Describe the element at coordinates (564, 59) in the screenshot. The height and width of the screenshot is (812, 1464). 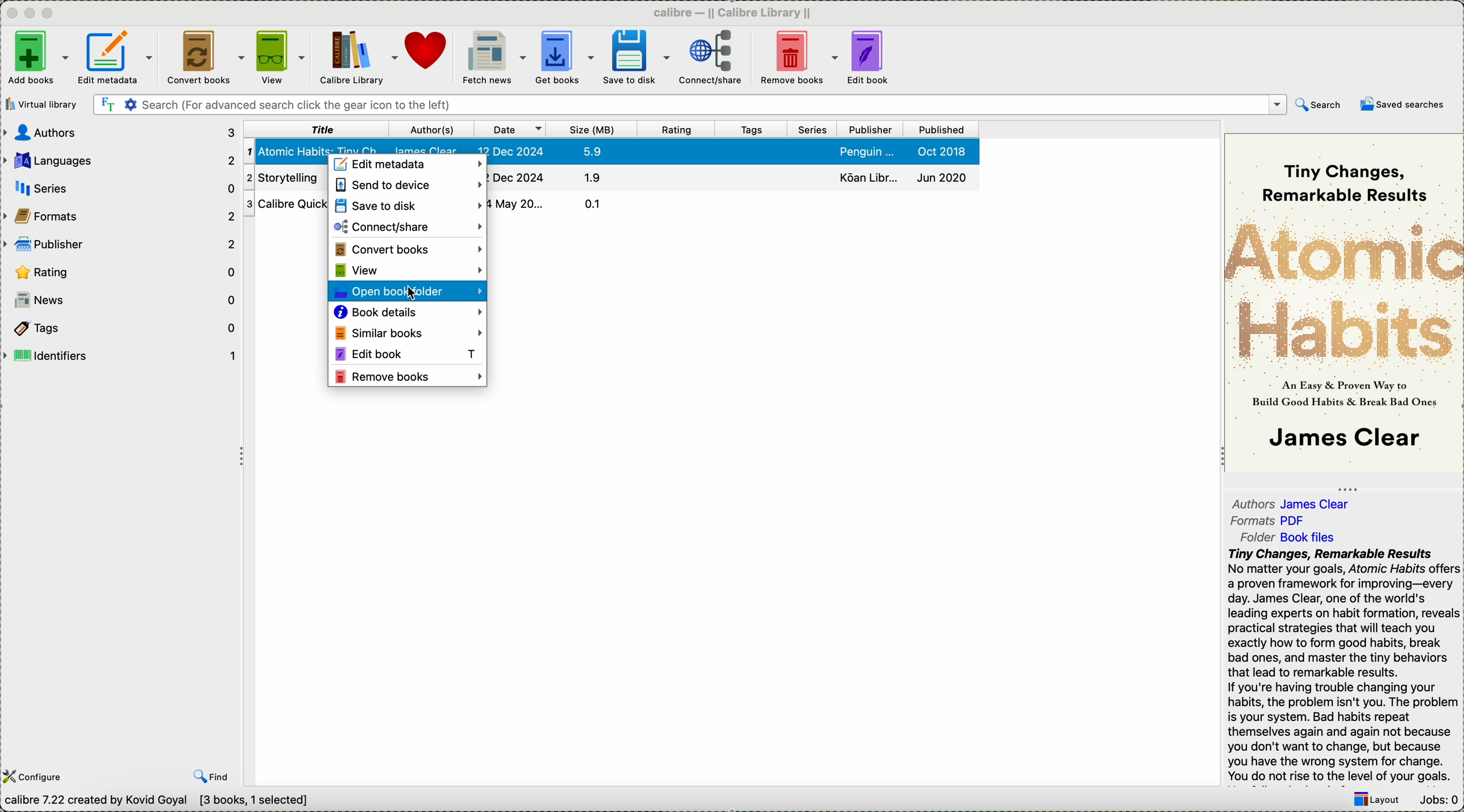
I see `get books` at that location.